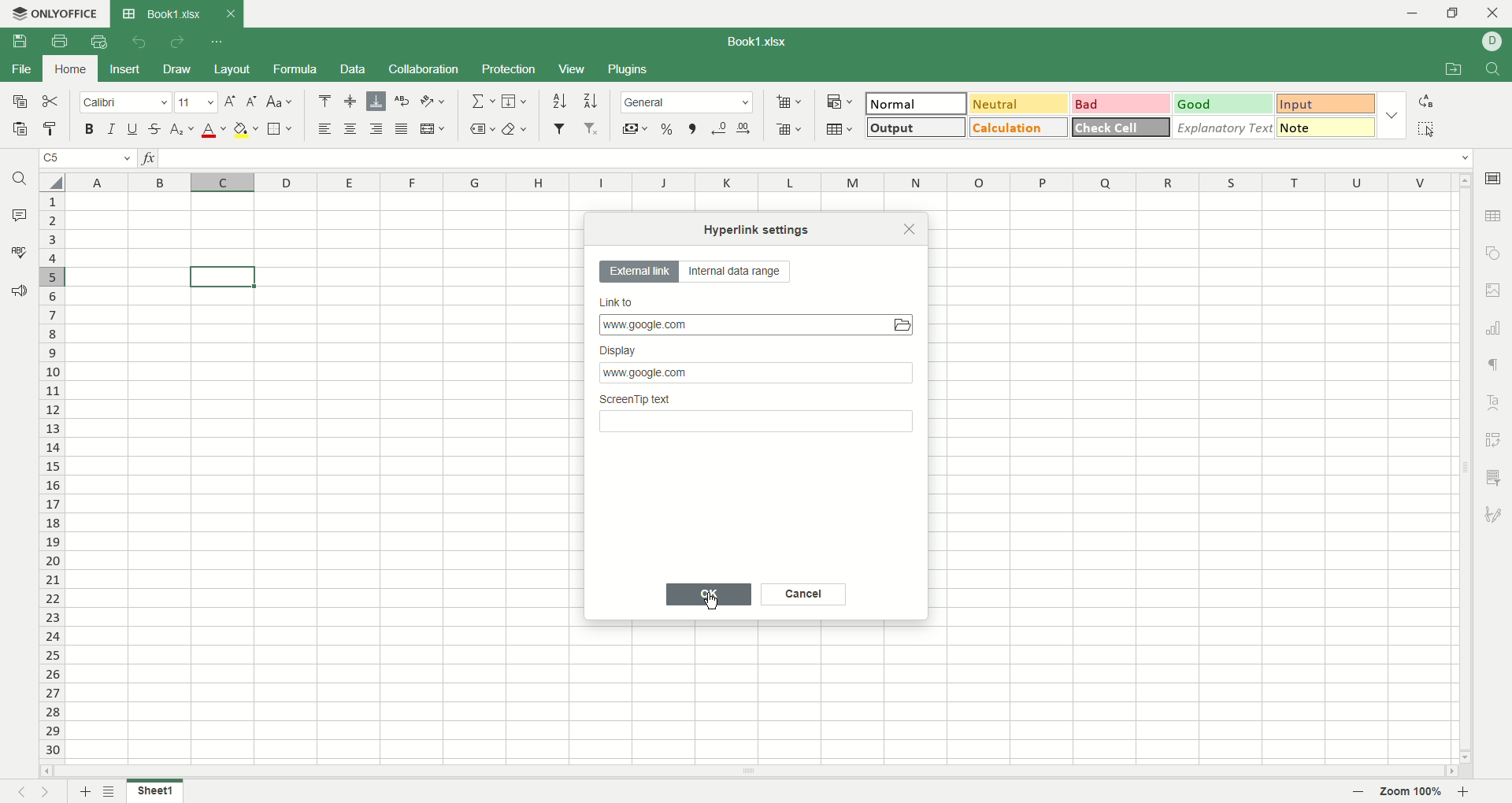  What do you see at coordinates (1492, 41) in the screenshot?
I see `account` at bounding box center [1492, 41].